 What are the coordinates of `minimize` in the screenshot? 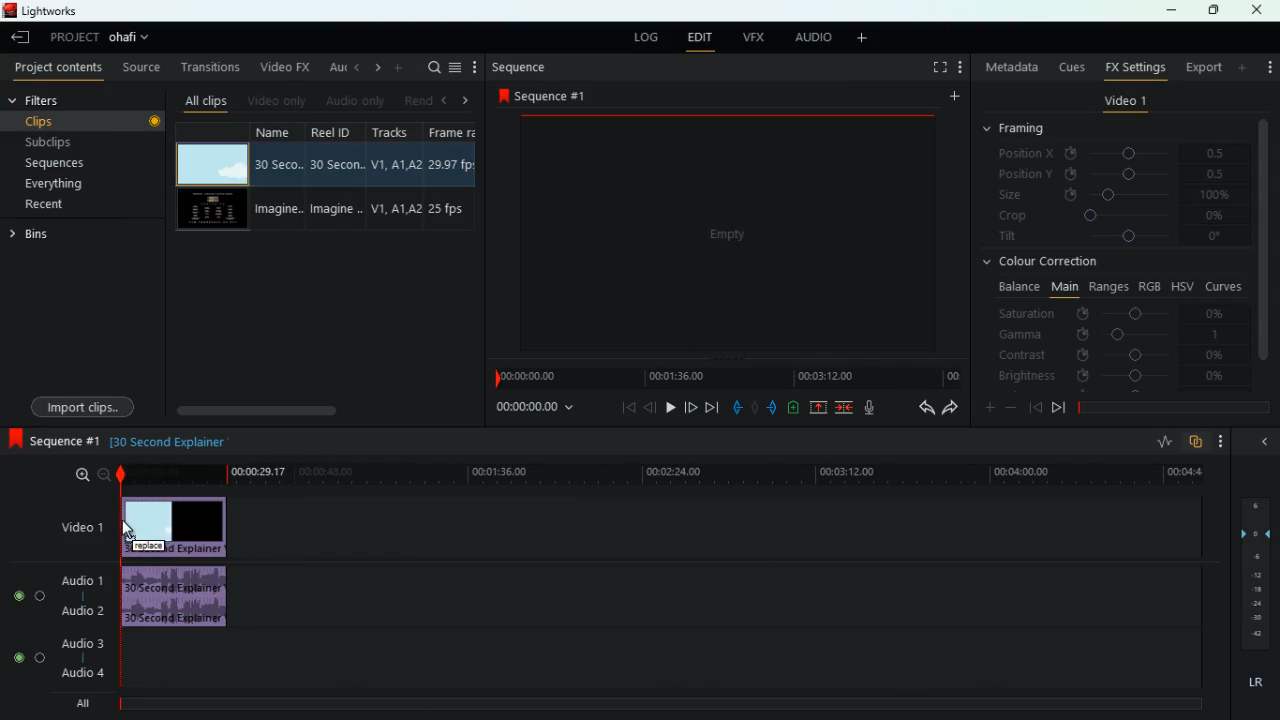 It's located at (1171, 12).